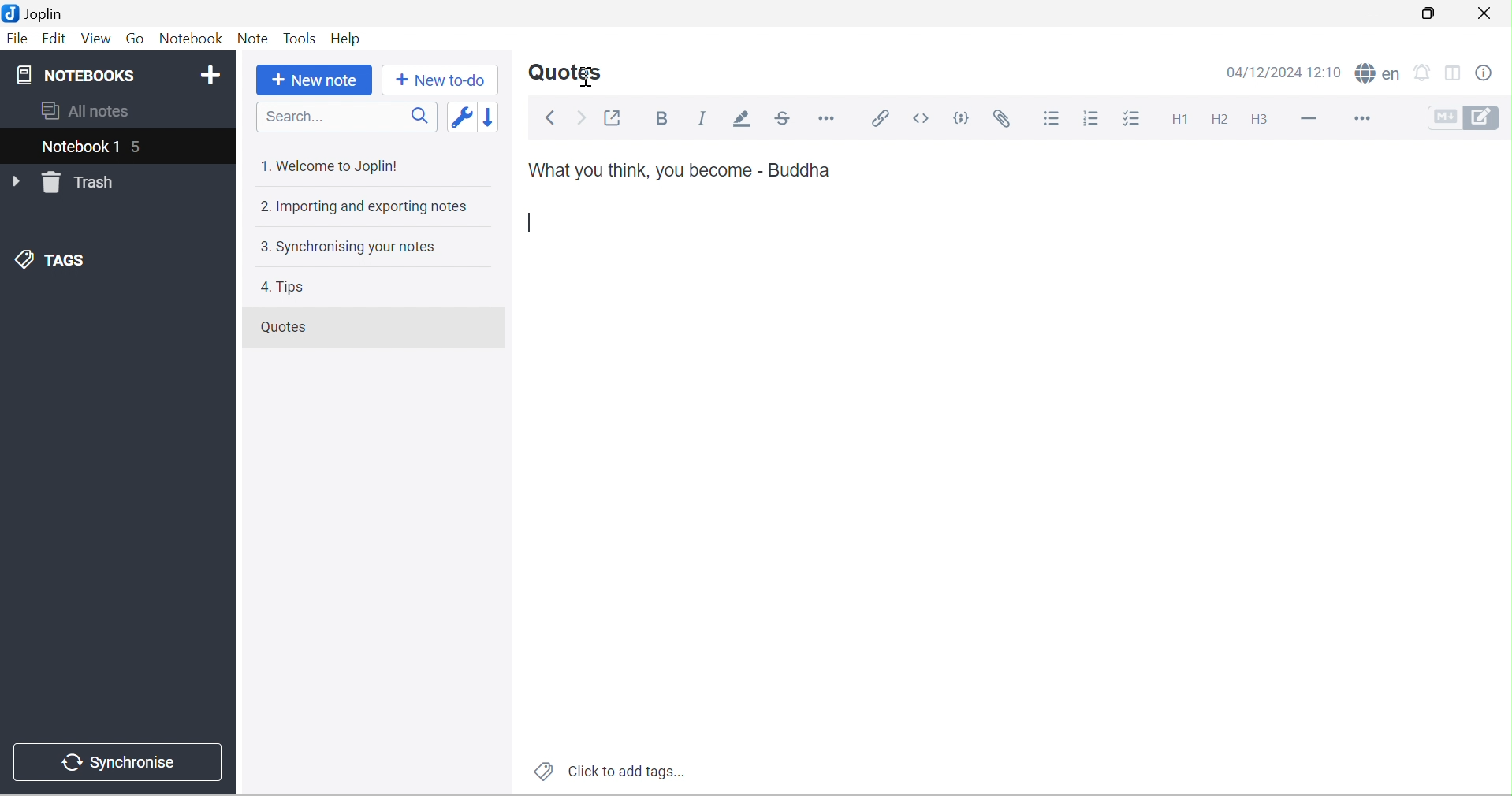  I want to click on Toggle editor layout, so click(1456, 71).